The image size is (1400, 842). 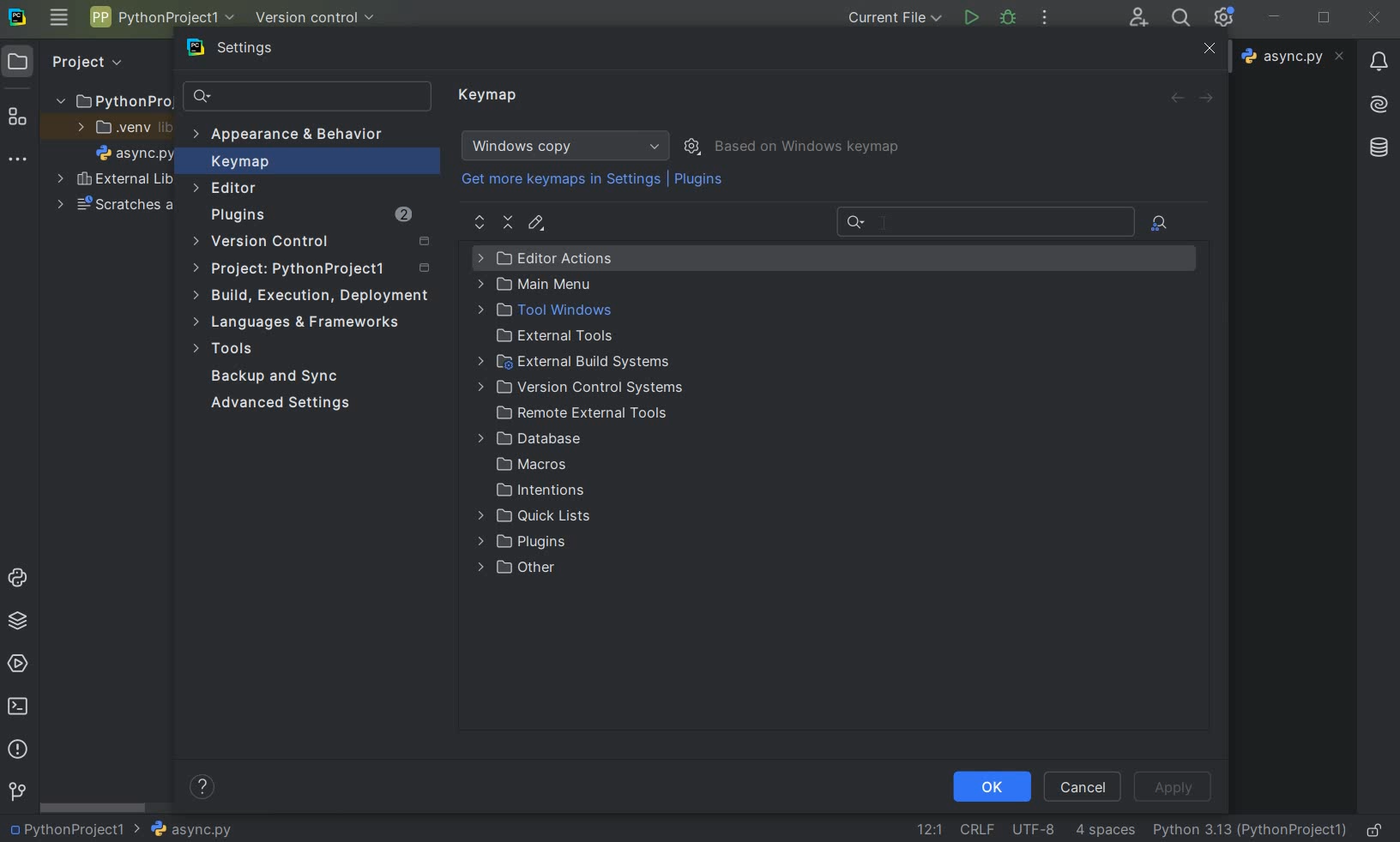 What do you see at coordinates (545, 259) in the screenshot?
I see `editor actions` at bounding box center [545, 259].